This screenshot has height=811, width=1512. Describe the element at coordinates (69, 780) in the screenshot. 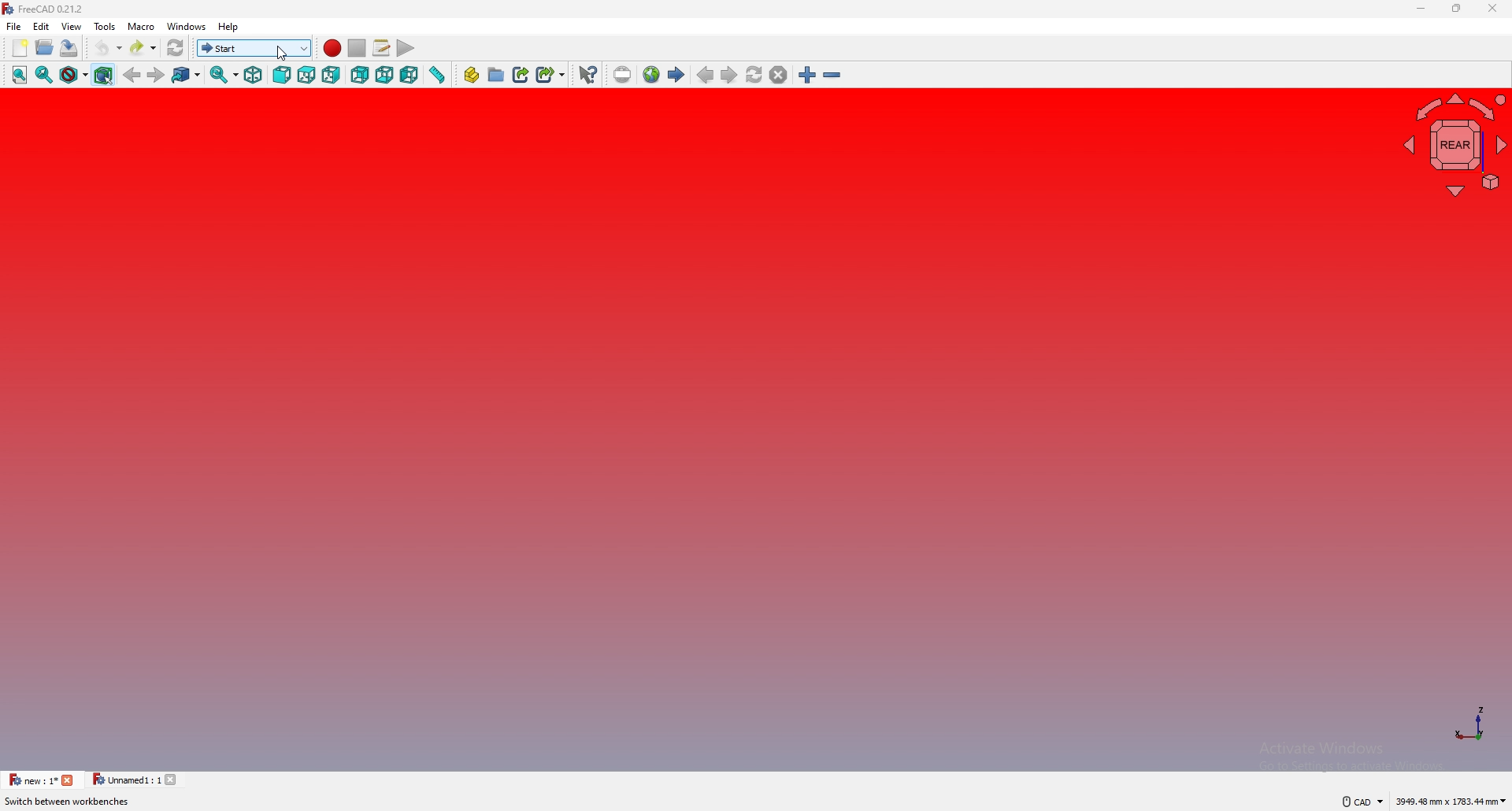

I see `close` at that location.